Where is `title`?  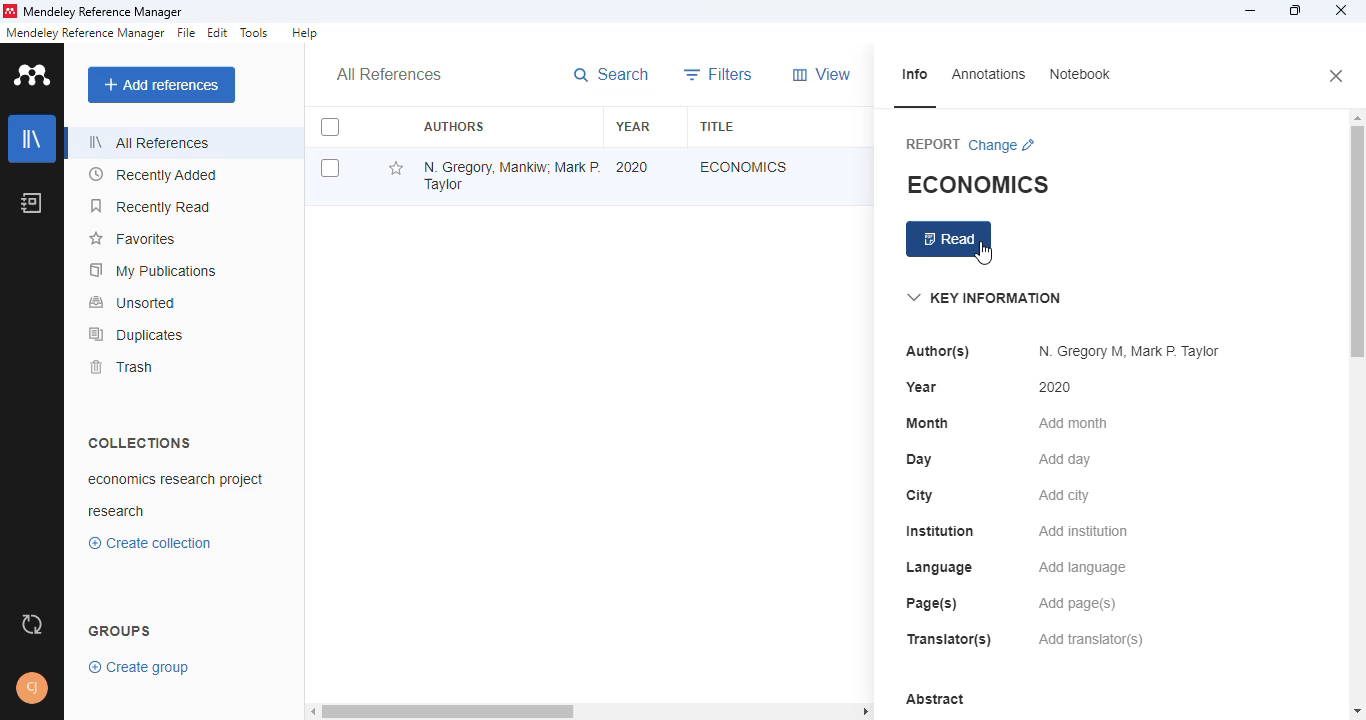 title is located at coordinates (717, 126).